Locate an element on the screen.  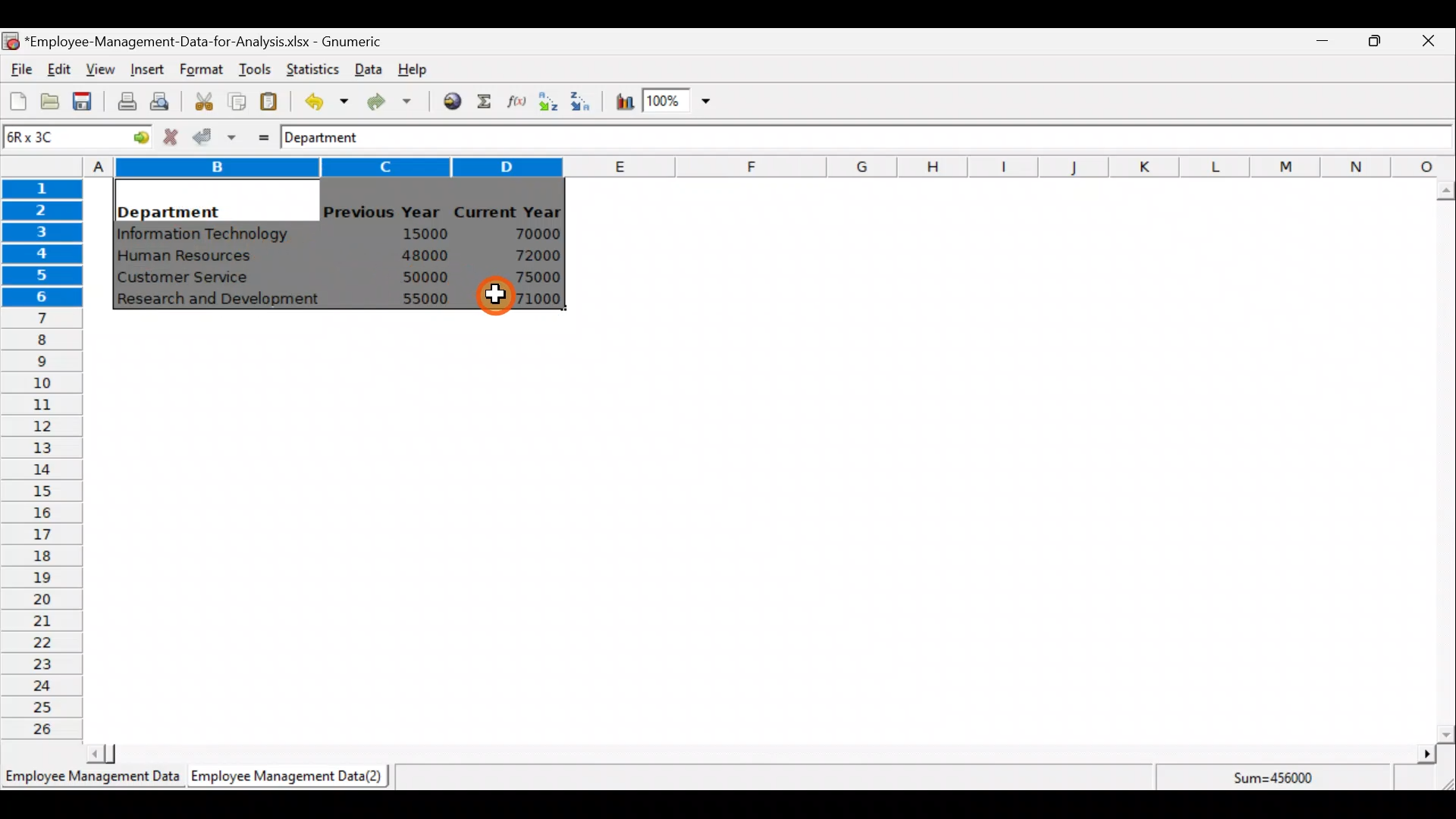
Current Year is located at coordinates (510, 210).